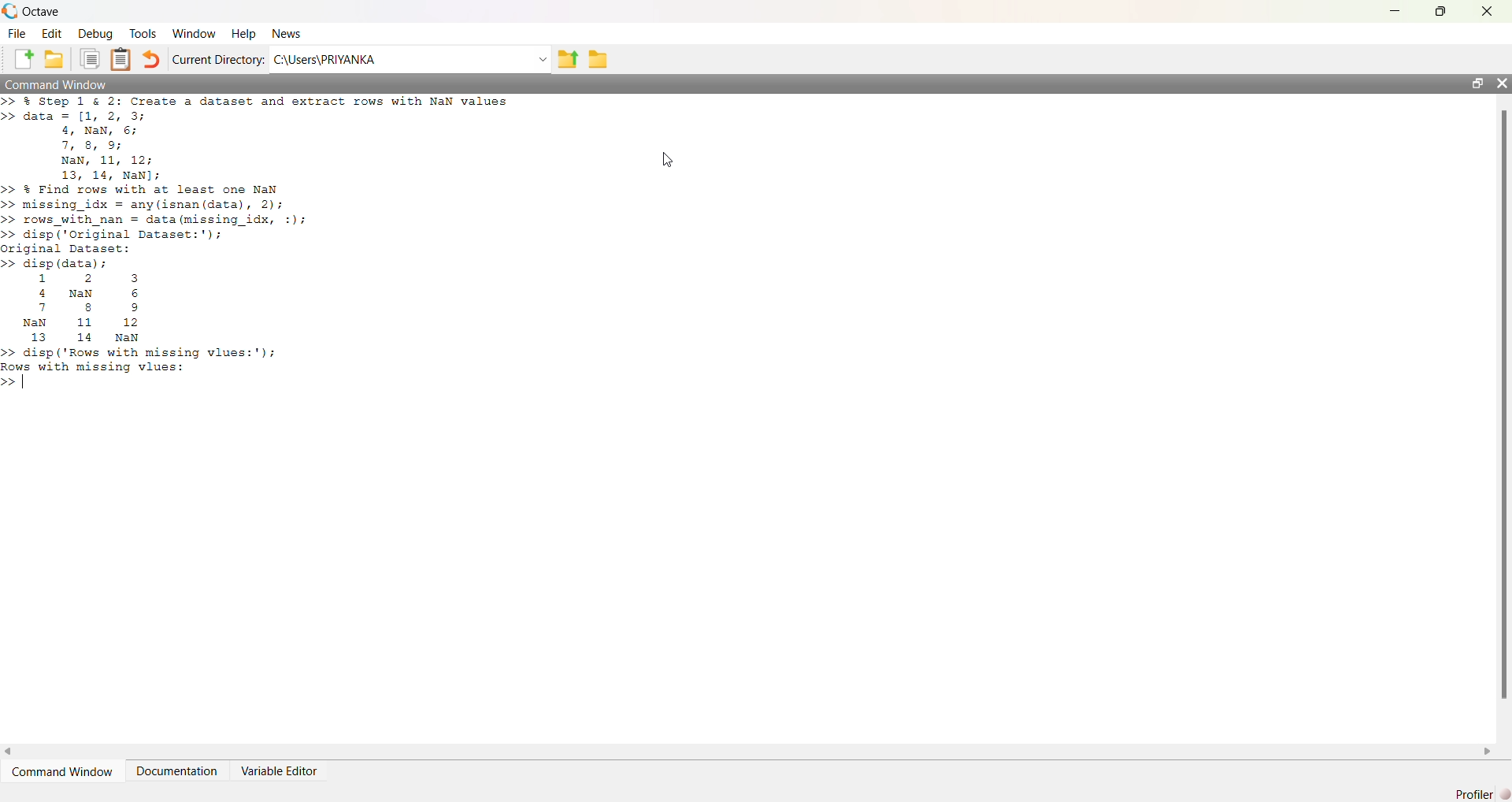  Describe the element at coordinates (288, 33) in the screenshot. I see `News` at that location.